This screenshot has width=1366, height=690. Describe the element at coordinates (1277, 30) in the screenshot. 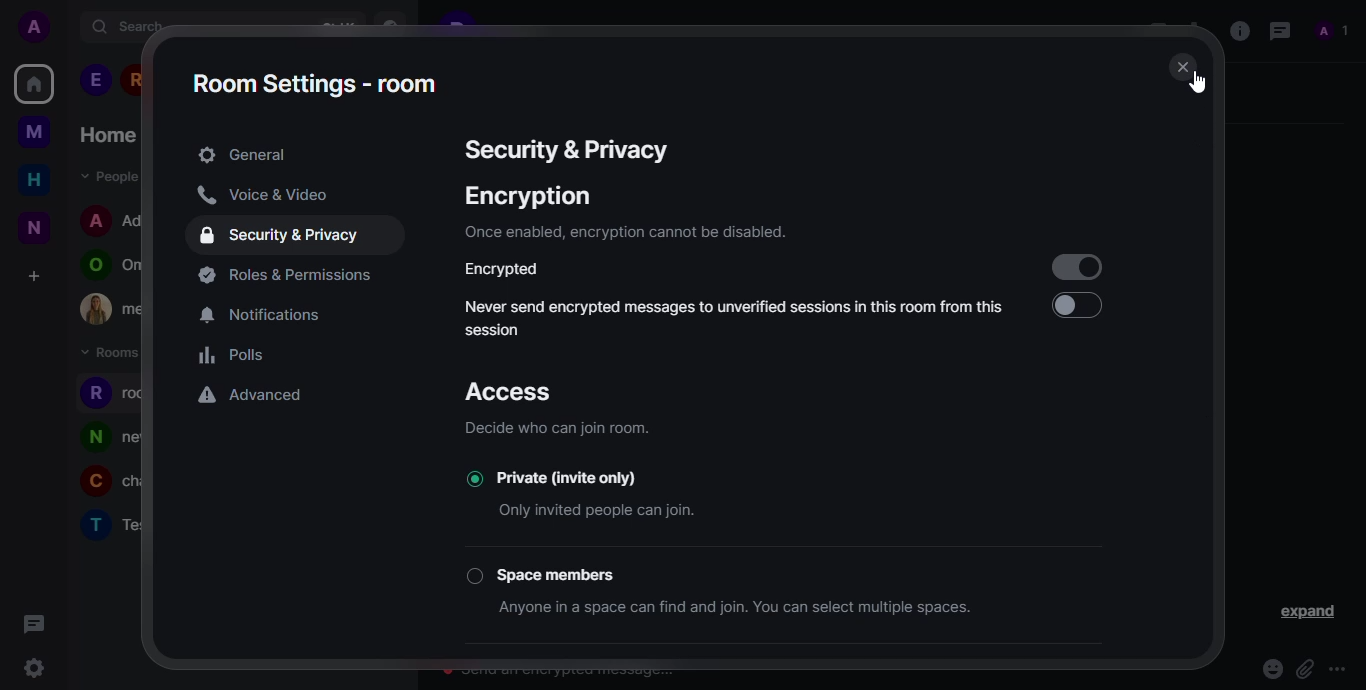

I see `threads` at that location.